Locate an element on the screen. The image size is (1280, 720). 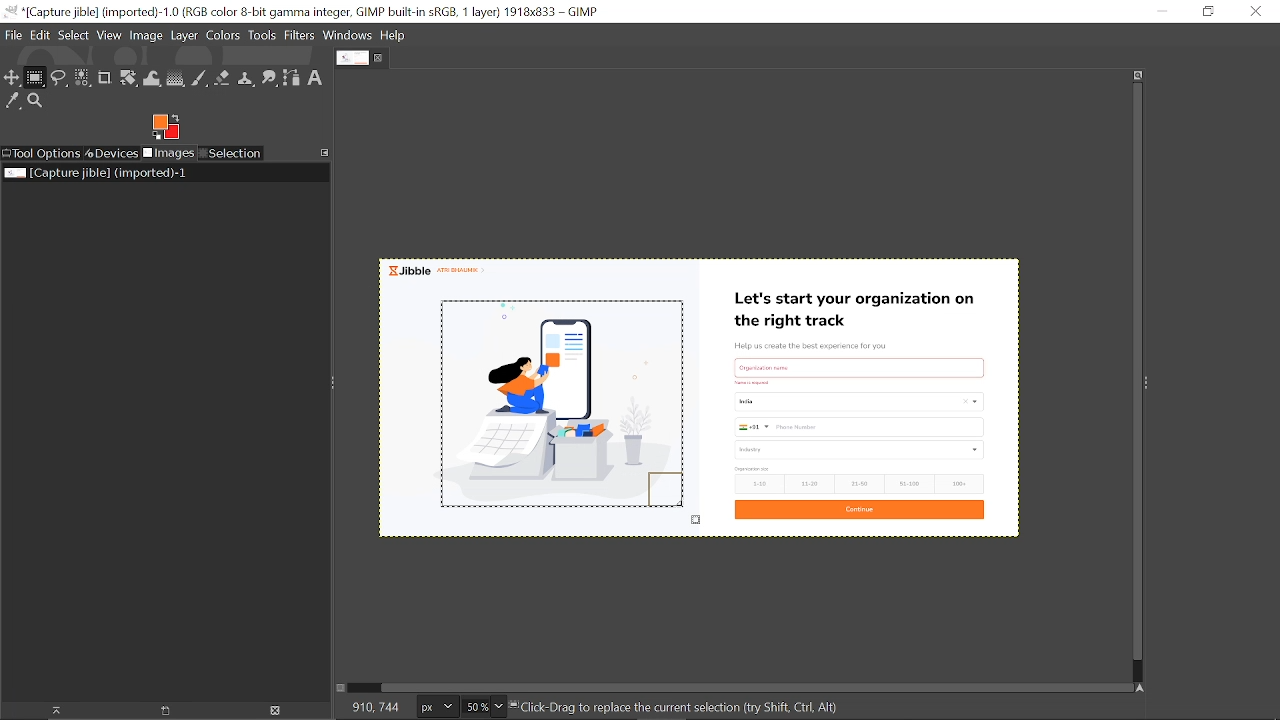
Clone tool is located at coordinates (247, 80).